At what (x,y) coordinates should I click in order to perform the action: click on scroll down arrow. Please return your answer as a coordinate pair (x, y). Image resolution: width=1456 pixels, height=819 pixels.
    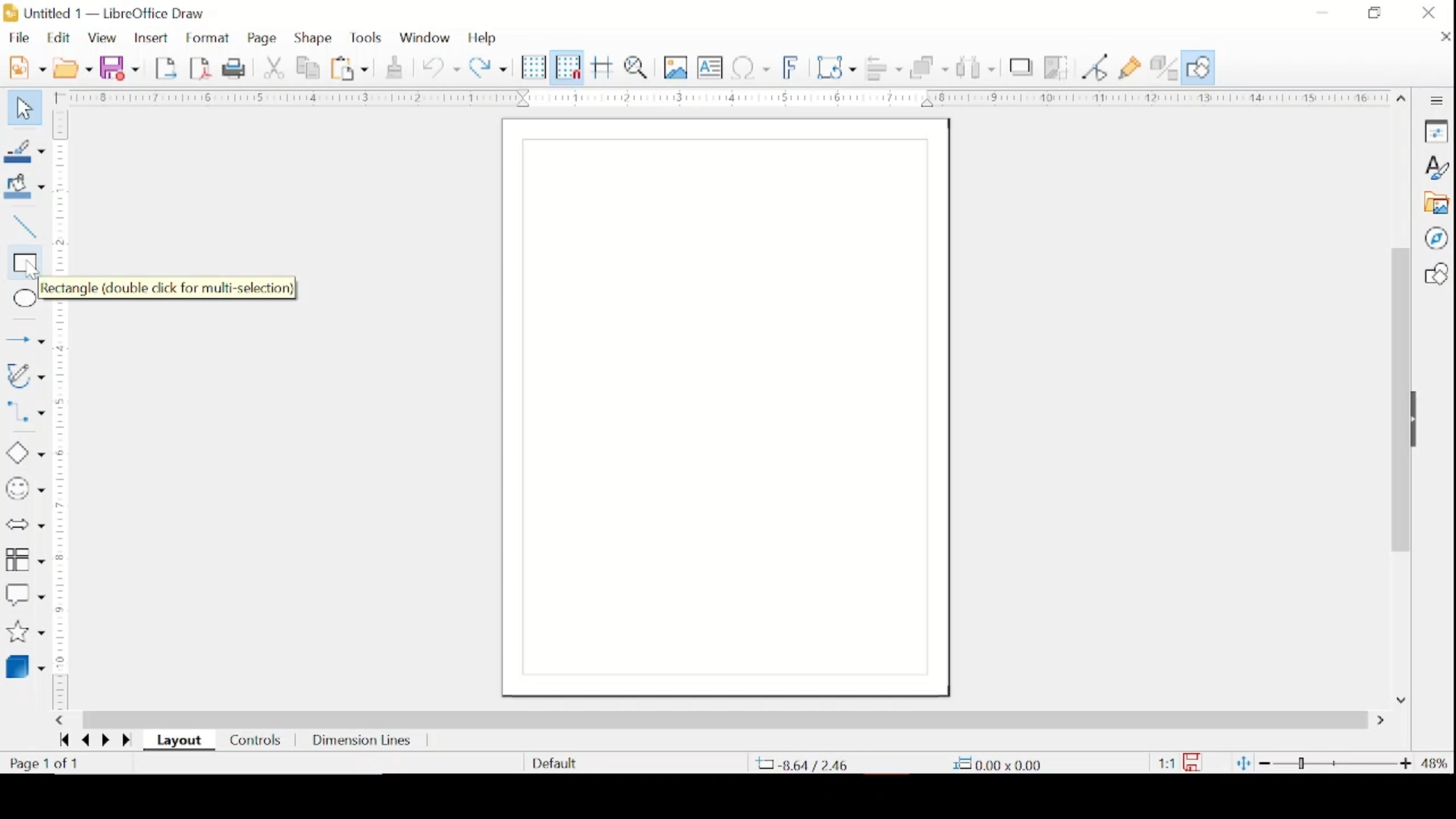
    Looking at the image, I should click on (1399, 698).